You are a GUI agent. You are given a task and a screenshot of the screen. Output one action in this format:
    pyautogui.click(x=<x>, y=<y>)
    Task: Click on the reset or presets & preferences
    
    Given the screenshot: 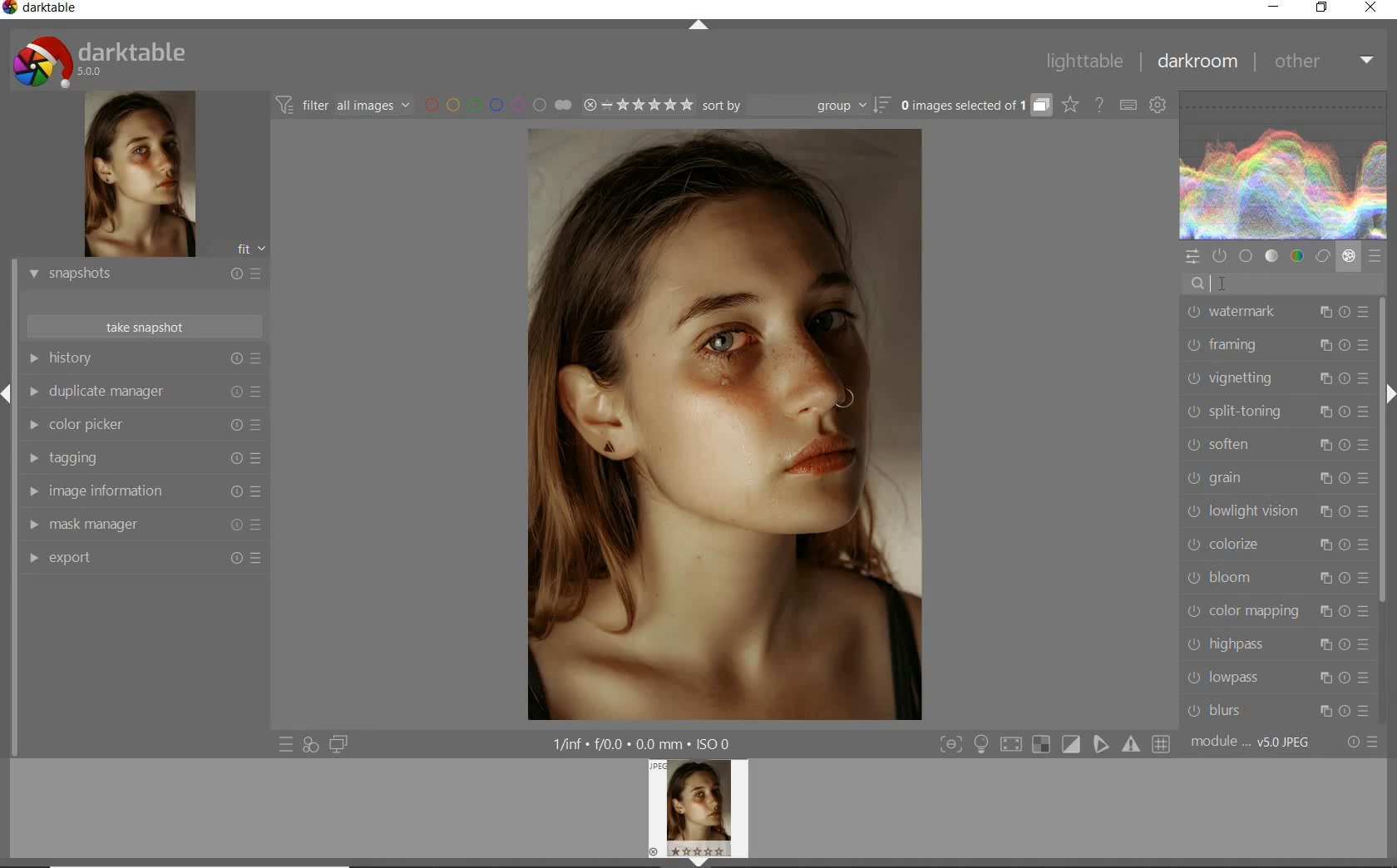 What is the action you would take?
    pyautogui.click(x=1363, y=744)
    